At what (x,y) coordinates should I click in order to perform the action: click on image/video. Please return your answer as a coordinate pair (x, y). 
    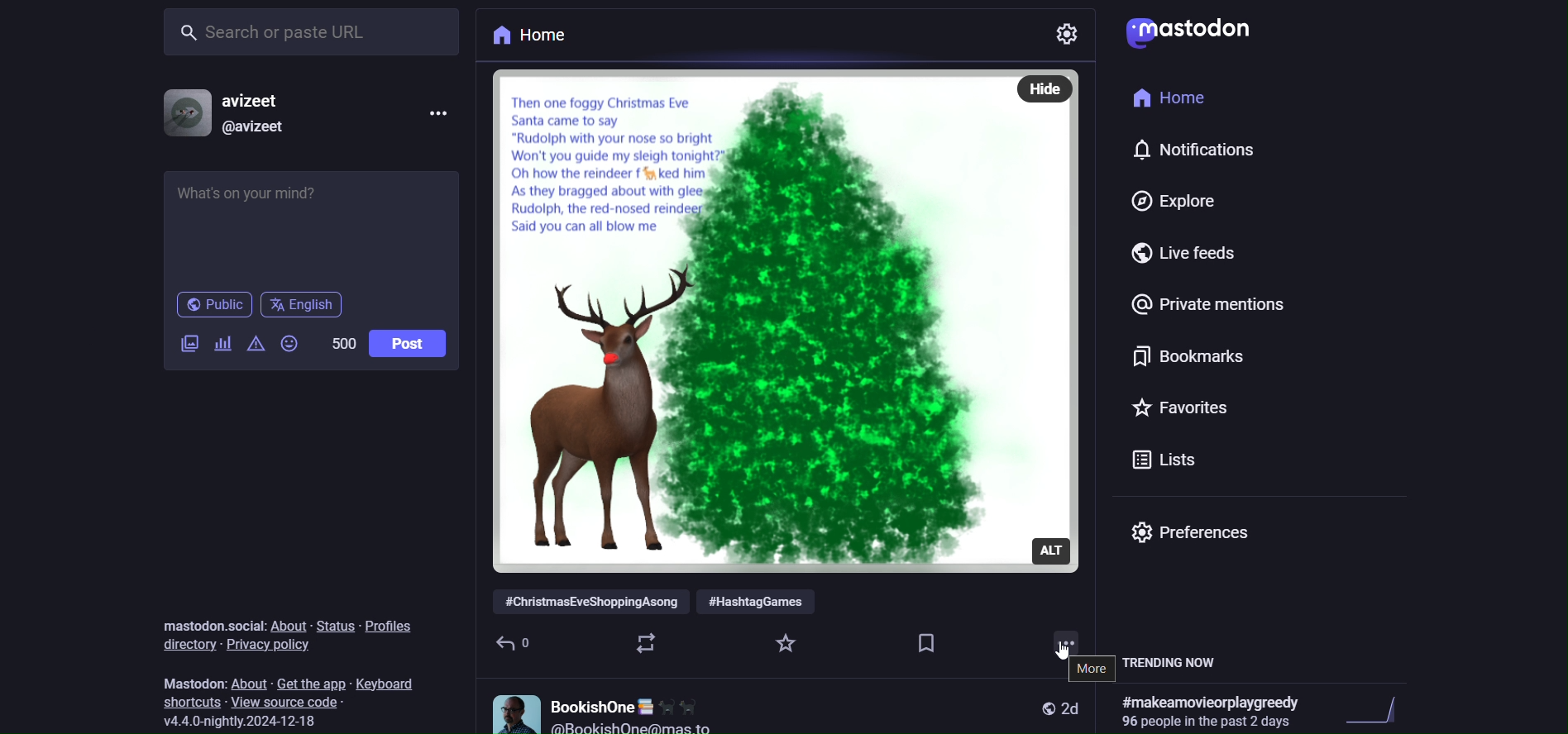
    Looking at the image, I should click on (189, 345).